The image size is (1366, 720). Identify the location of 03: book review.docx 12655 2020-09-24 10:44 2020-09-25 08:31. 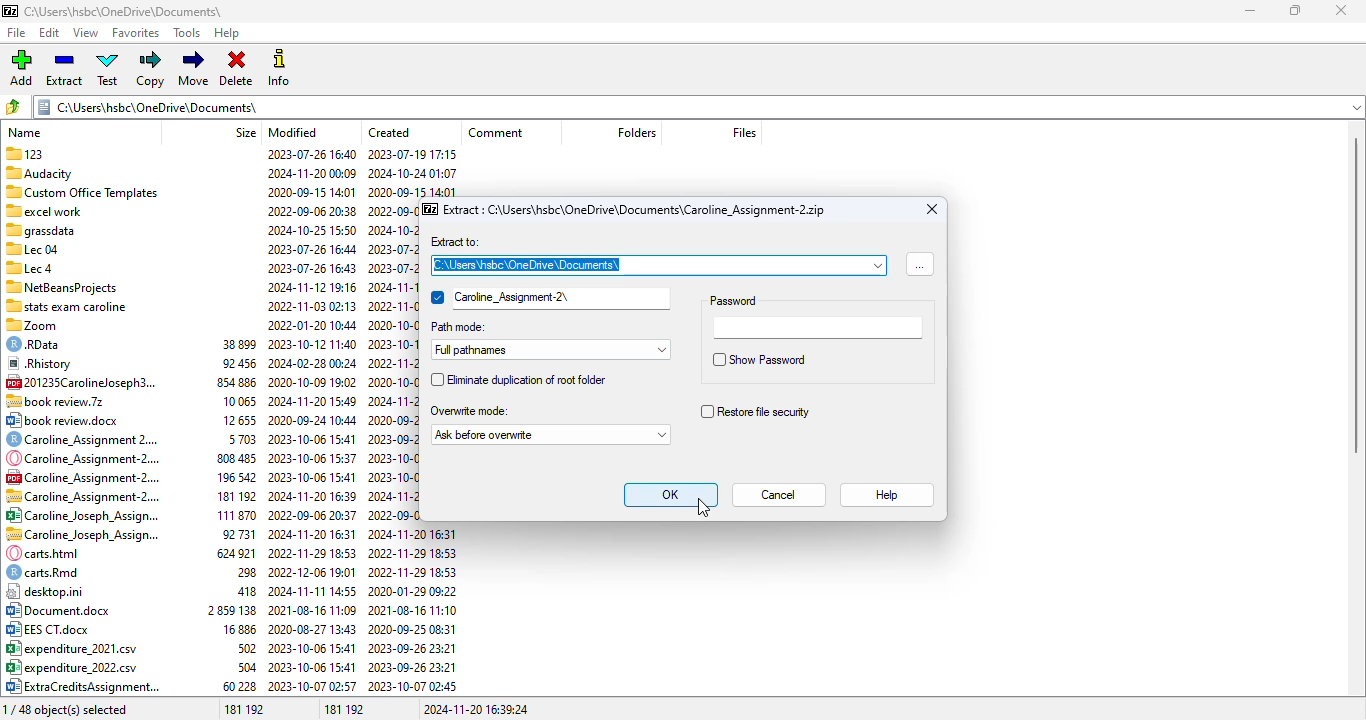
(212, 421).